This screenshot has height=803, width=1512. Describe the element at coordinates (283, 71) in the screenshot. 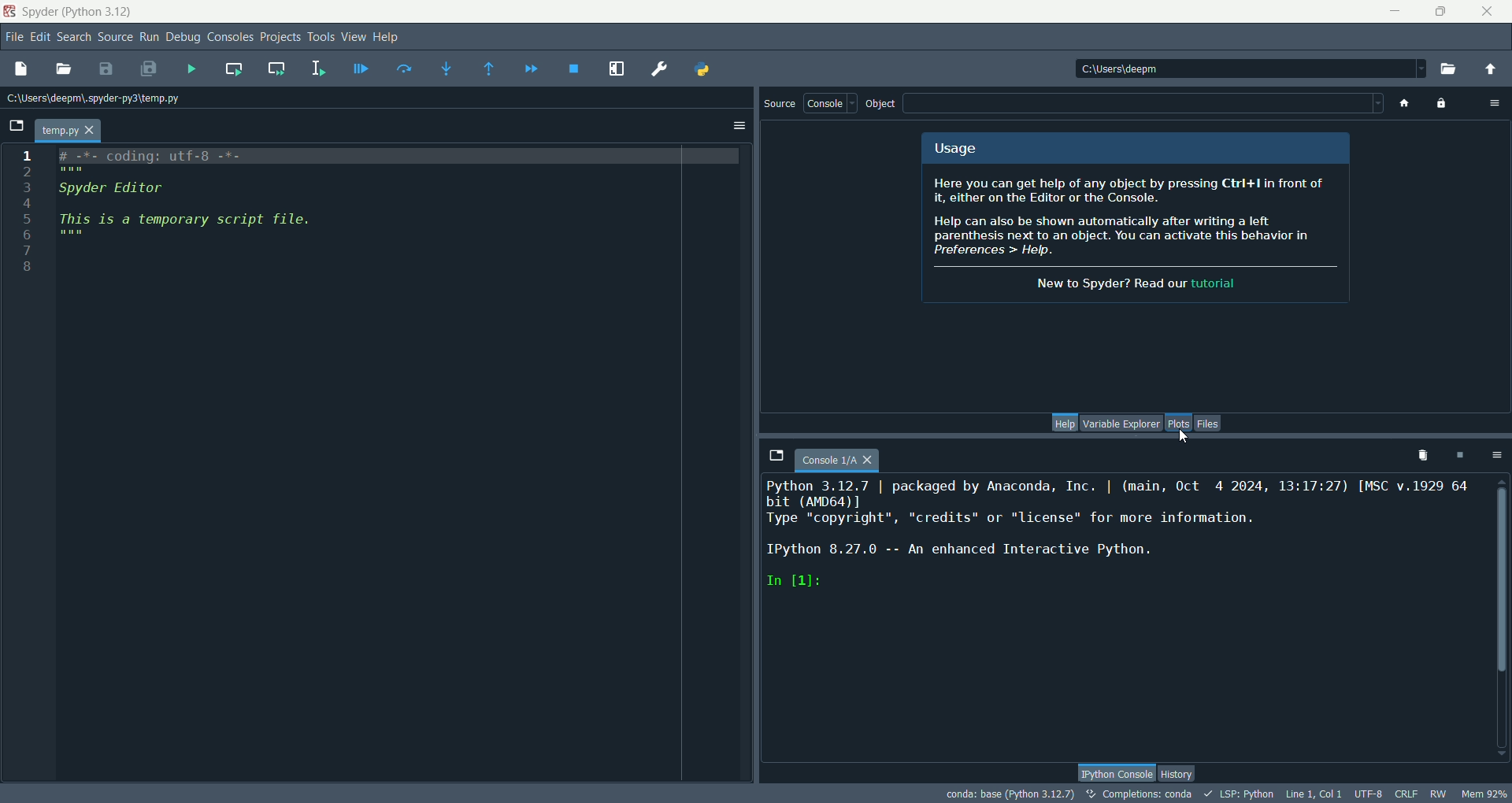

I see `run current cell and go to the next` at that location.